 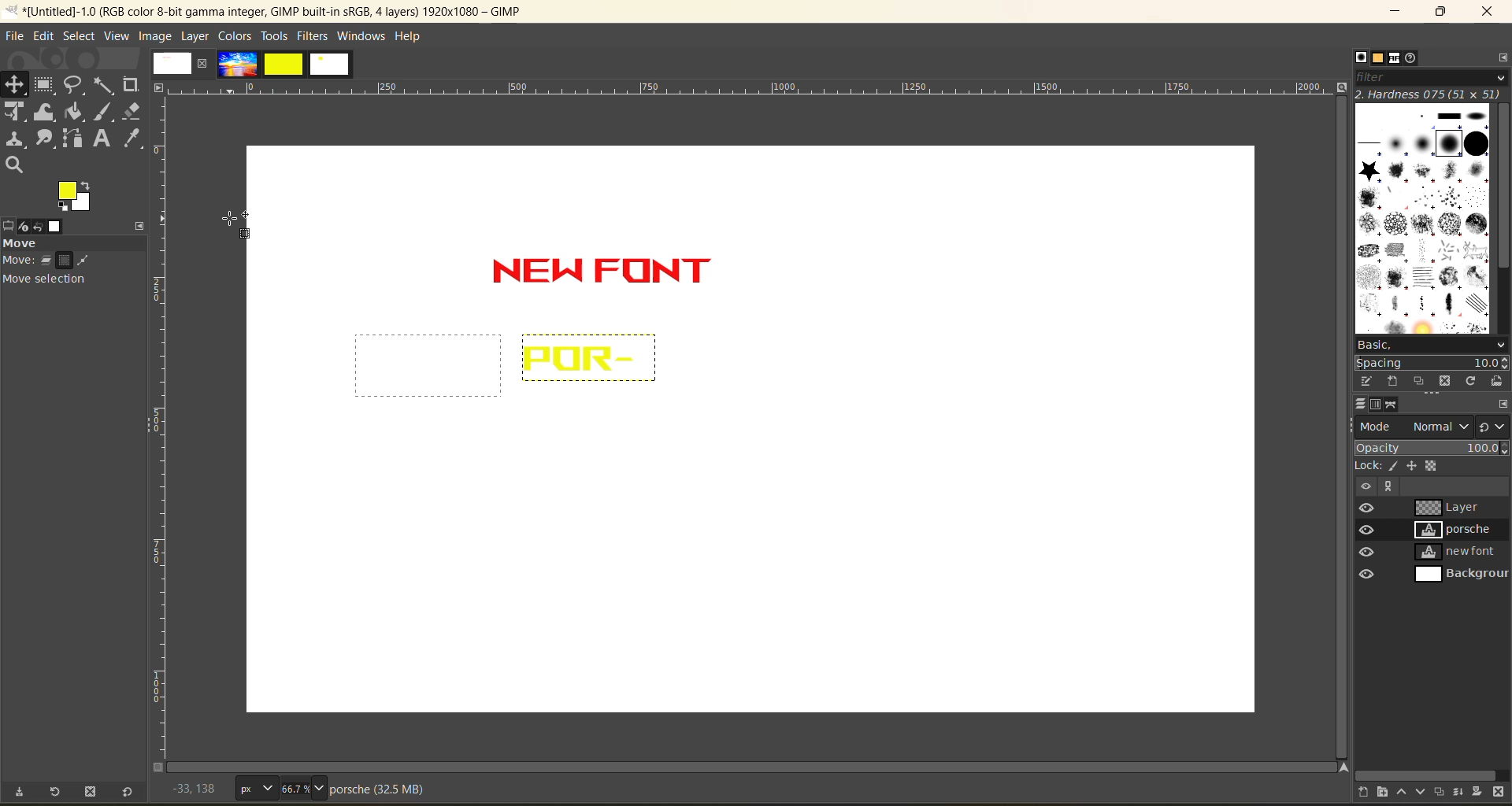 I want to click on image, so click(x=171, y=63).